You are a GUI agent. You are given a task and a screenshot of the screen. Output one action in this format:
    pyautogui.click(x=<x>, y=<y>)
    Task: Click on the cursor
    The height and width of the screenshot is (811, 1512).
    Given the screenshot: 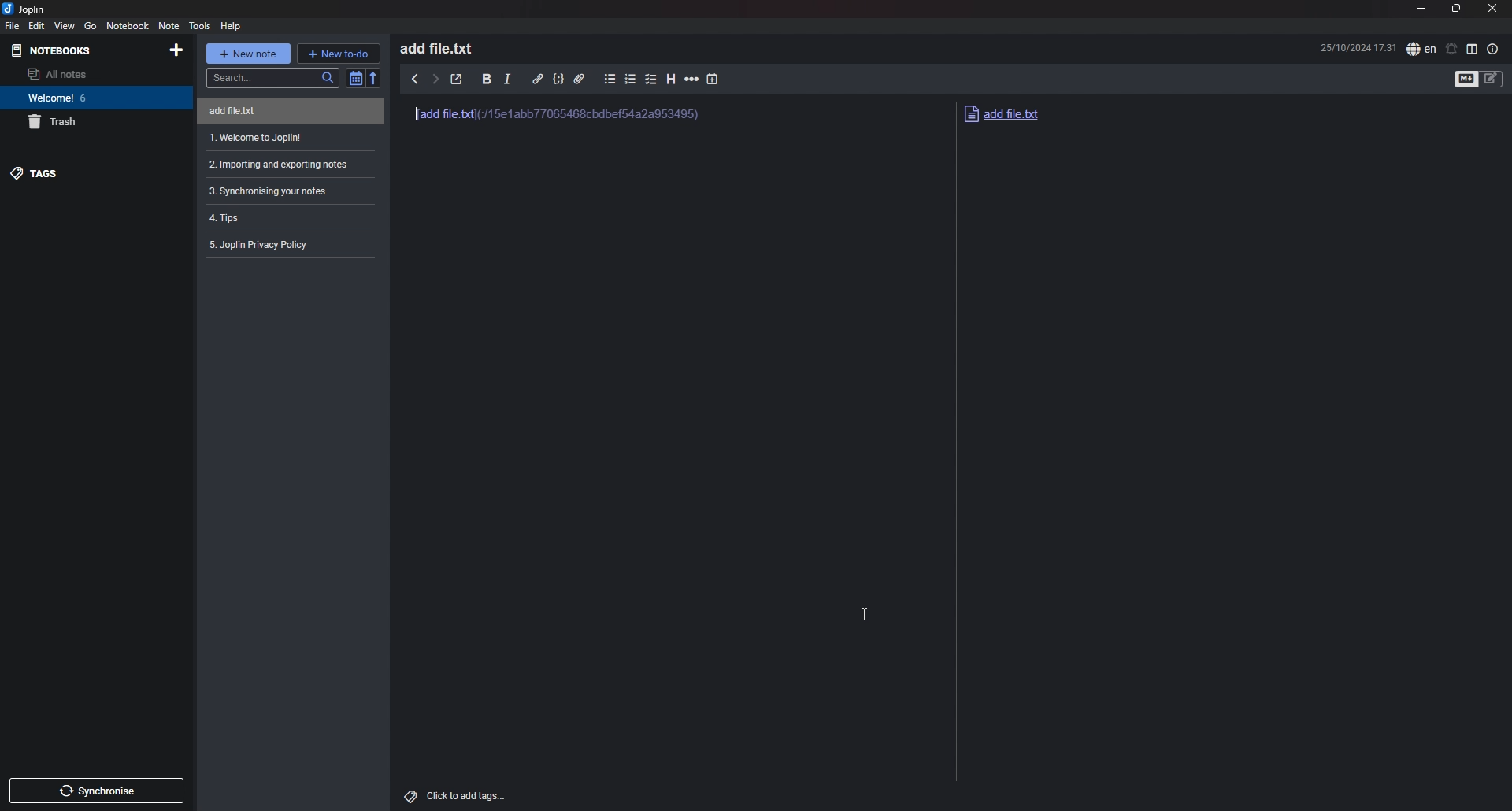 What is the action you would take?
    pyautogui.click(x=867, y=613)
    